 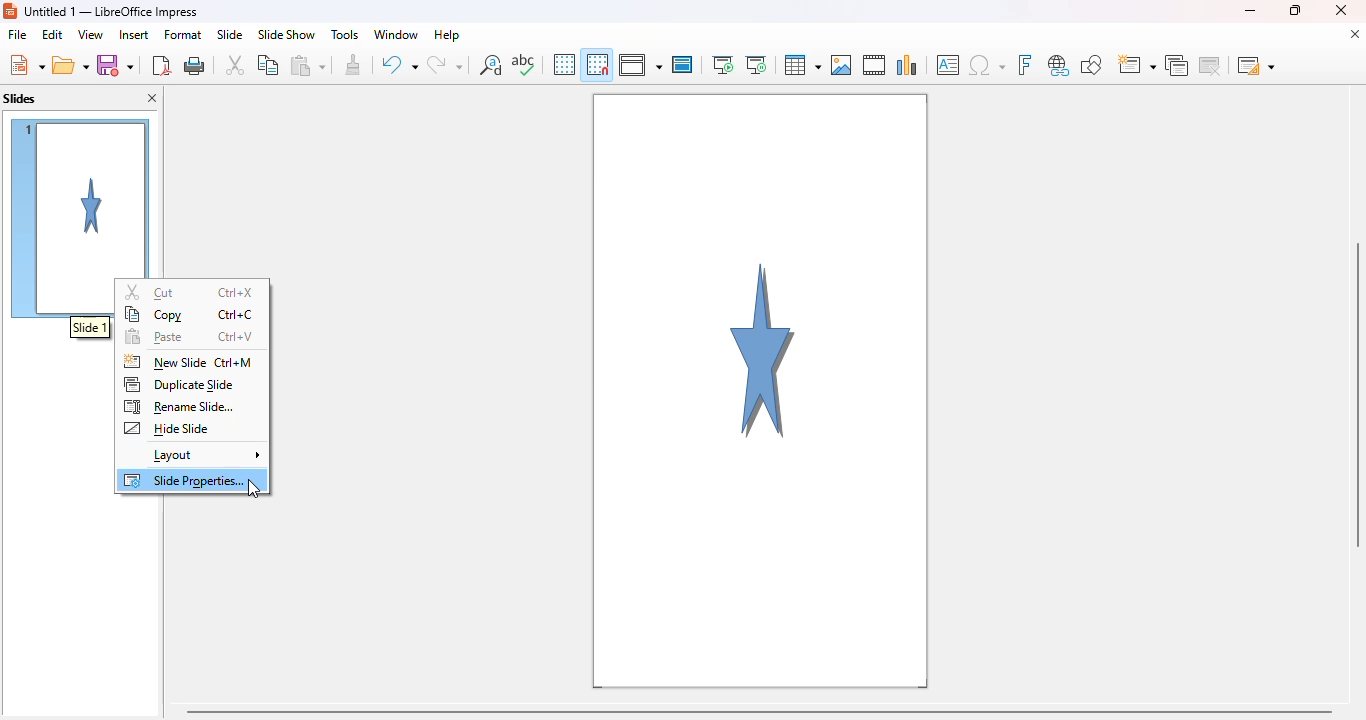 What do you see at coordinates (134, 35) in the screenshot?
I see `insert` at bounding box center [134, 35].